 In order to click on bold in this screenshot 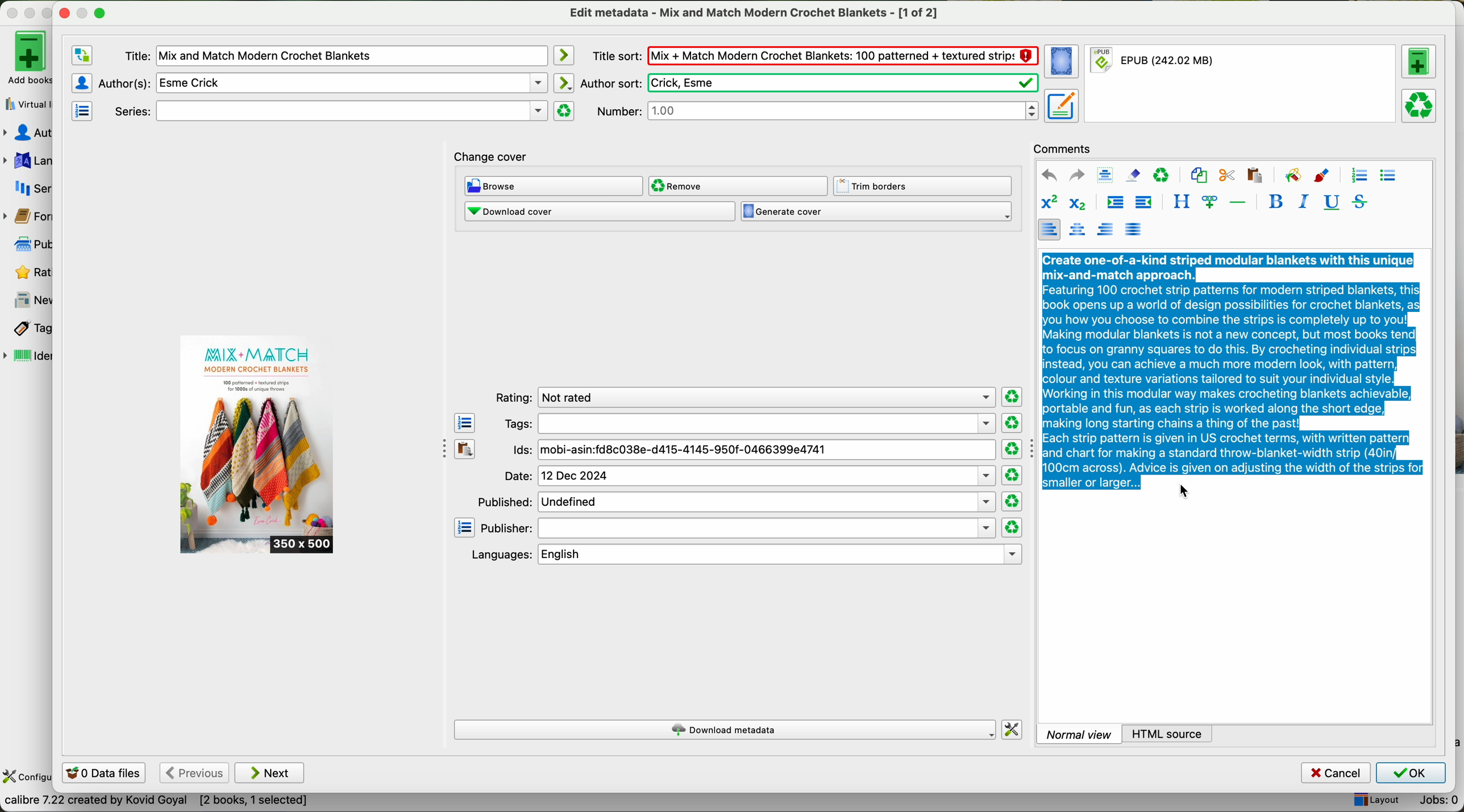, I will do `click(1276, 201)`.